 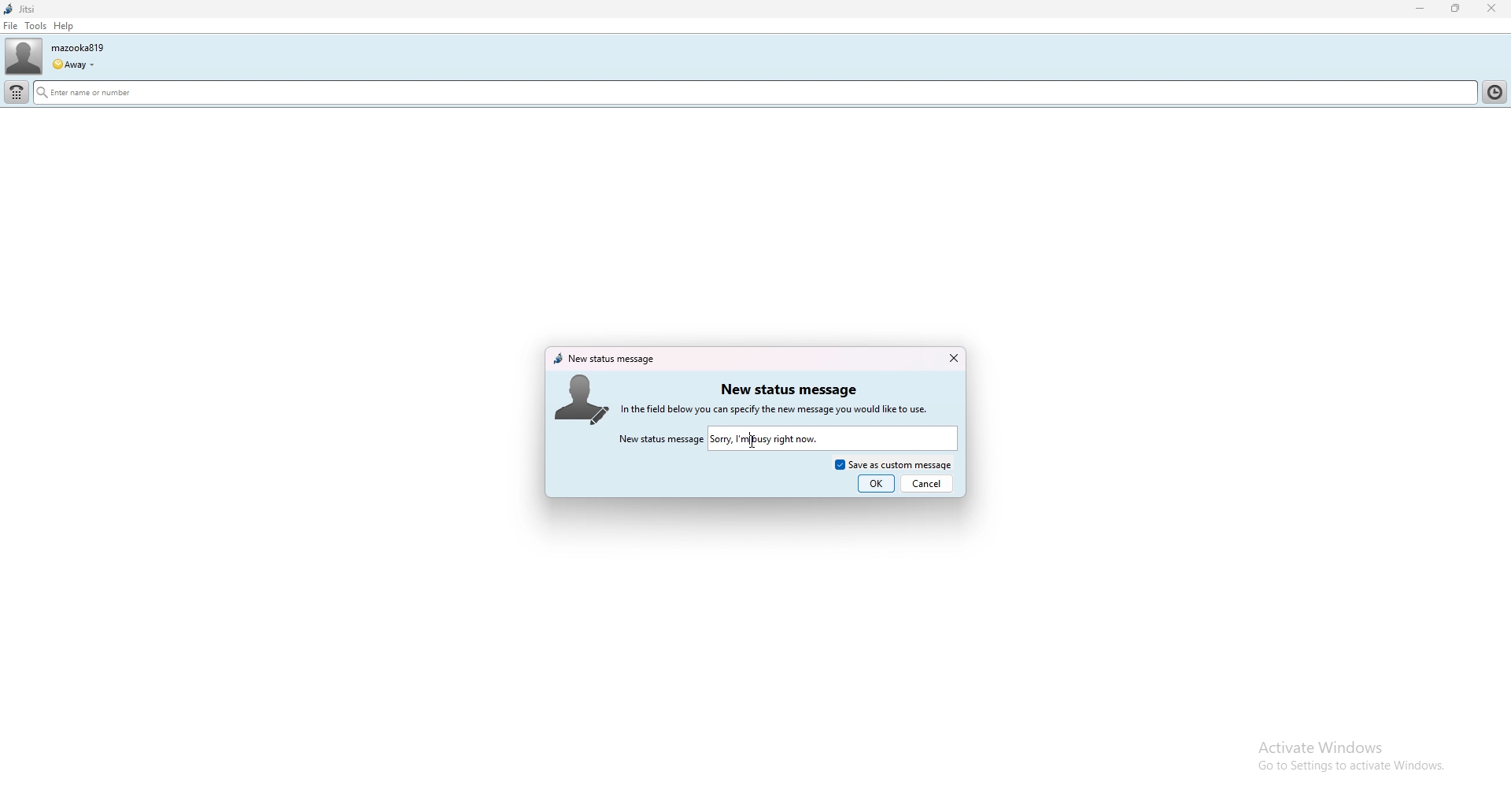 What do you see at coordinates (63, 26) in the screenshot?
I see `help` at bounding box center [63, 26].